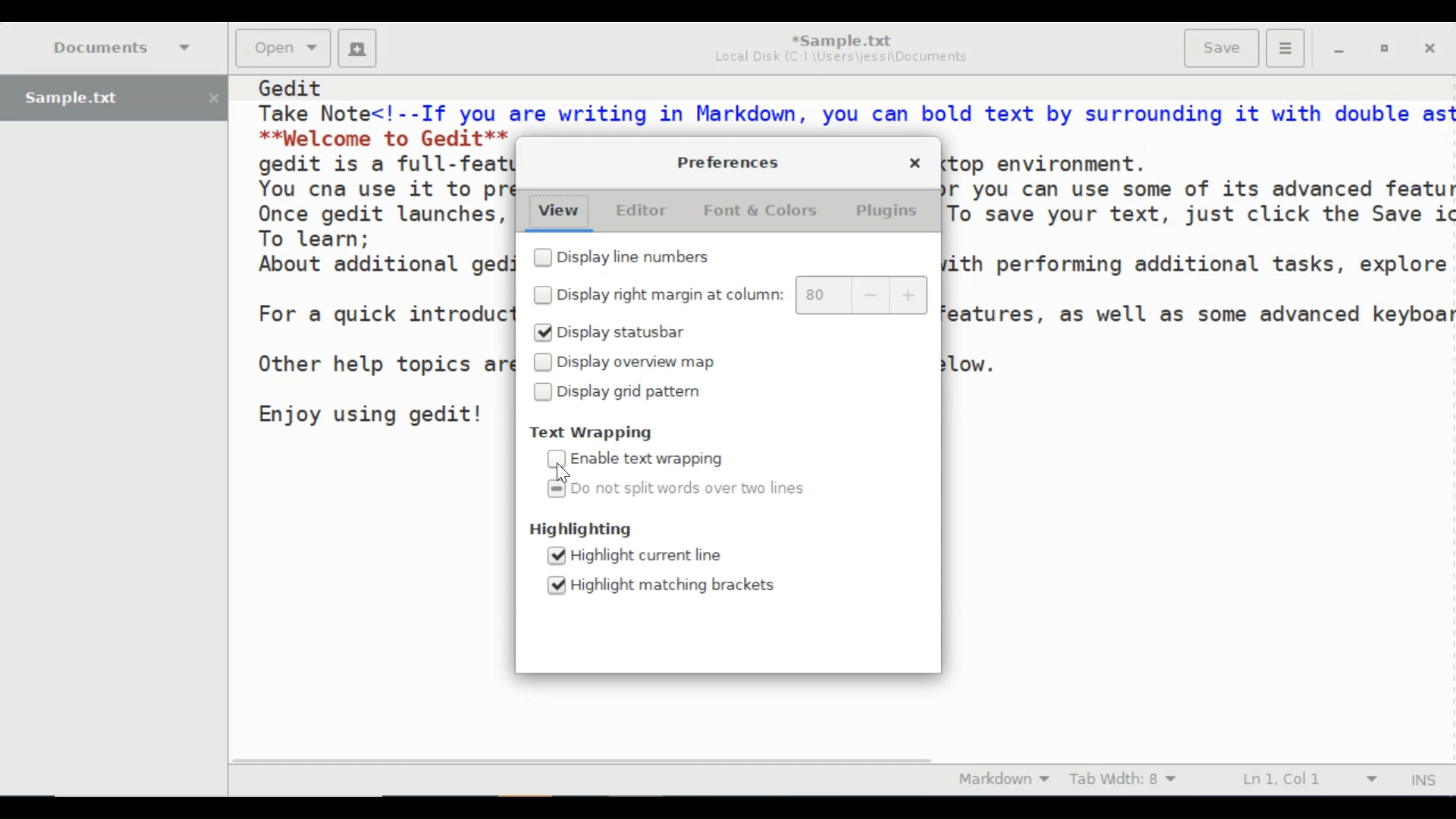 The width and height of the screenshot is (1456, 819). Describe the element at coordinates (1430, 45) in the screenshot. I see `Close` at that location.